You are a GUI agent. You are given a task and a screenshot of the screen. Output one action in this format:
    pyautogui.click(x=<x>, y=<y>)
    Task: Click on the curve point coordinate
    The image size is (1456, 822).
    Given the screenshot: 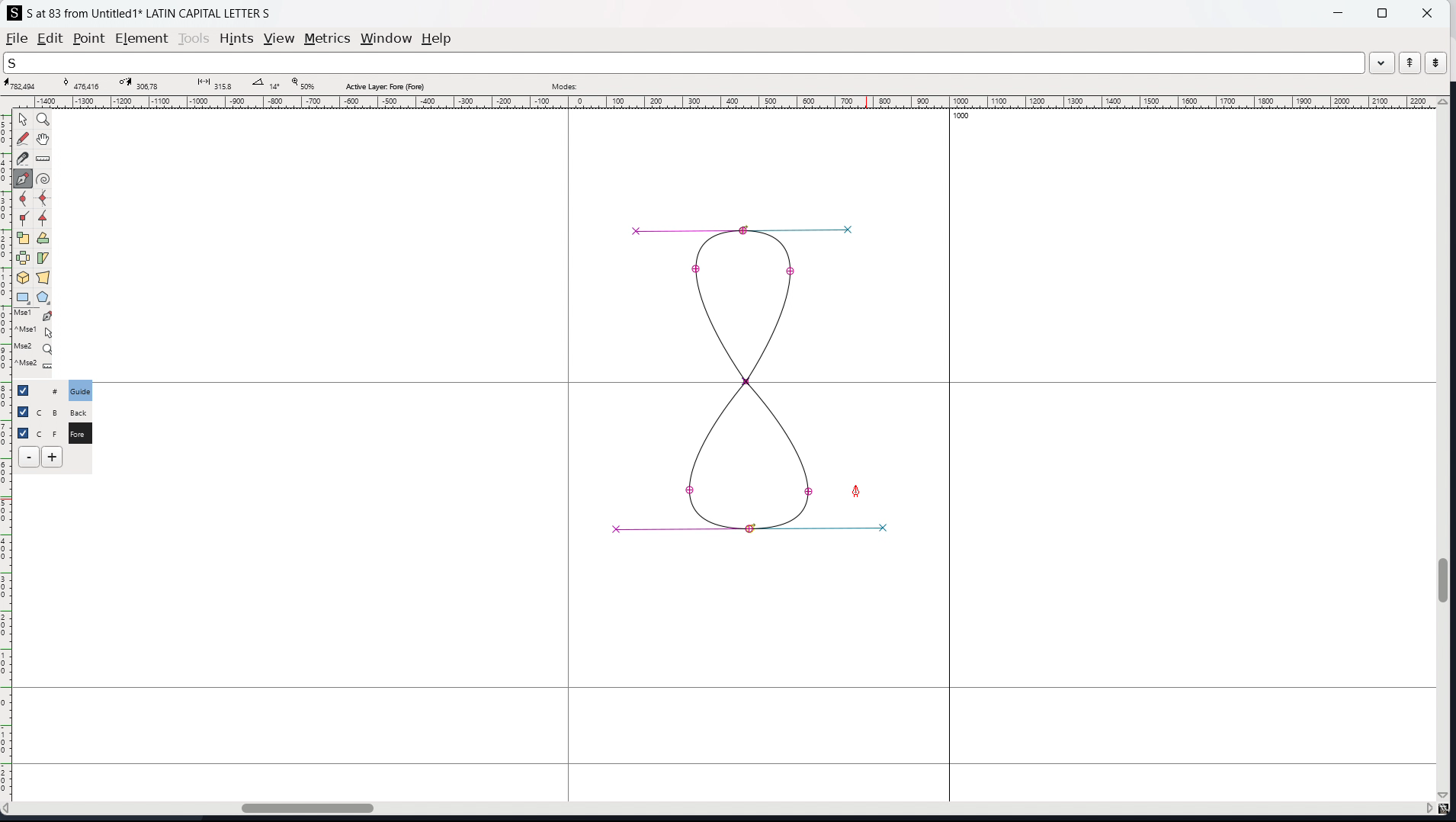 What is the action you would take?
    pyautogui.click(x=86, y=84)
    